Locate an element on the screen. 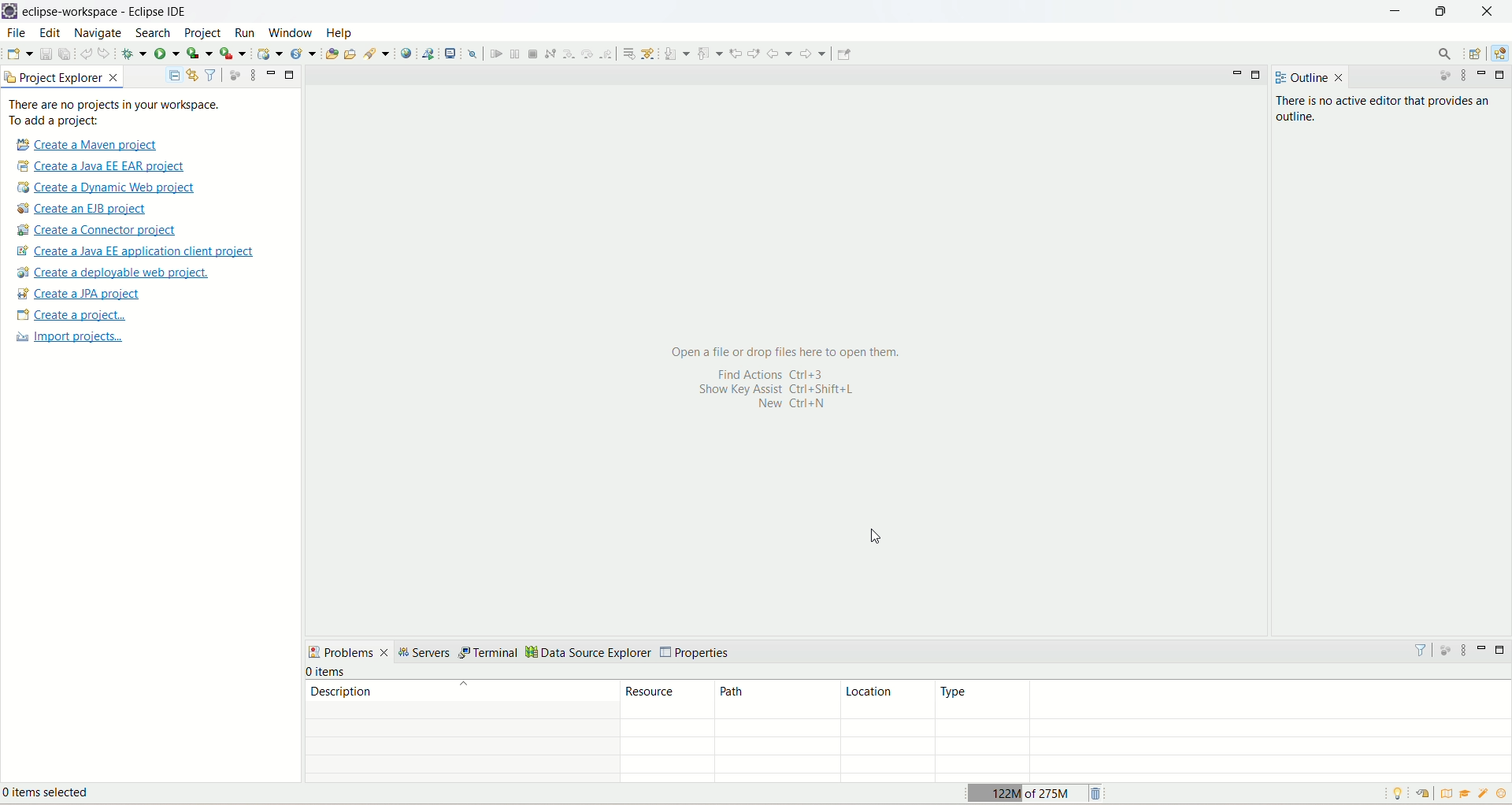 The height and width of the screenshot is (805, 1512). step into is located at coordinates (567, 54).